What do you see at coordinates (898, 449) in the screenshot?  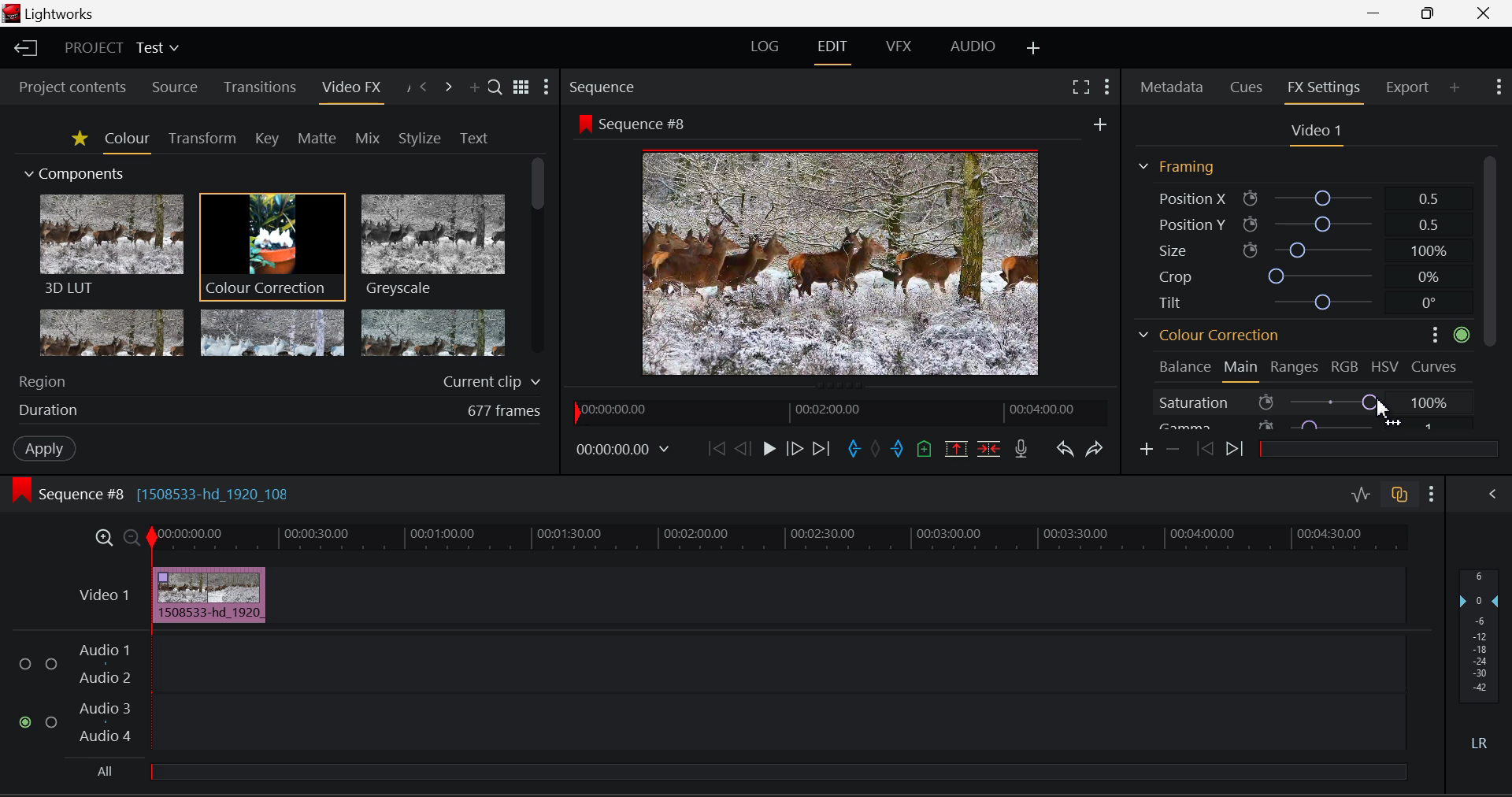 I see `Mark Out` at bounding box center [898, 449].